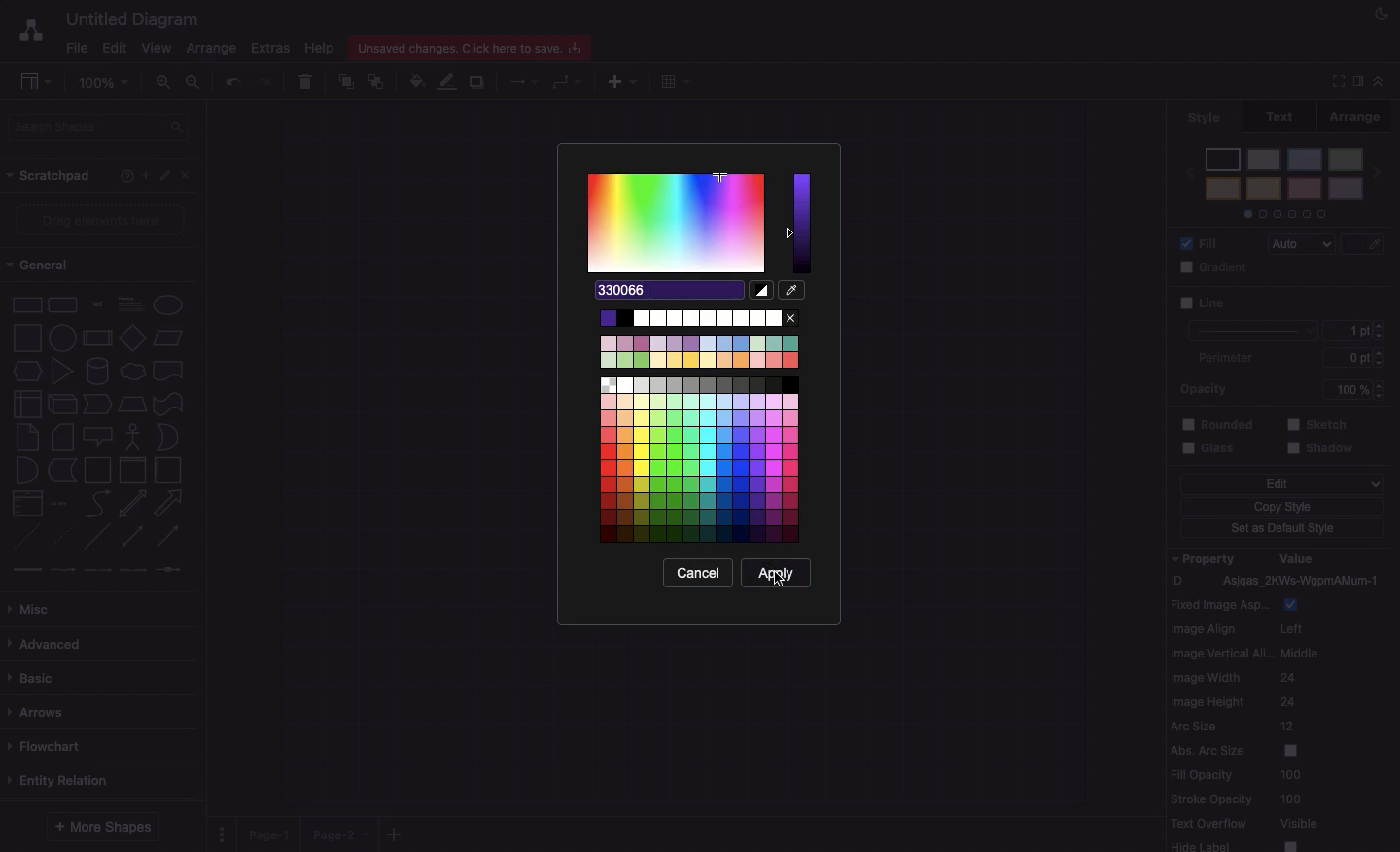 This screenshot has height=852, width=1400. What do you see at coordinates (168, 371) in the screenshot?
I see `document` at bounding box center [168, 371].